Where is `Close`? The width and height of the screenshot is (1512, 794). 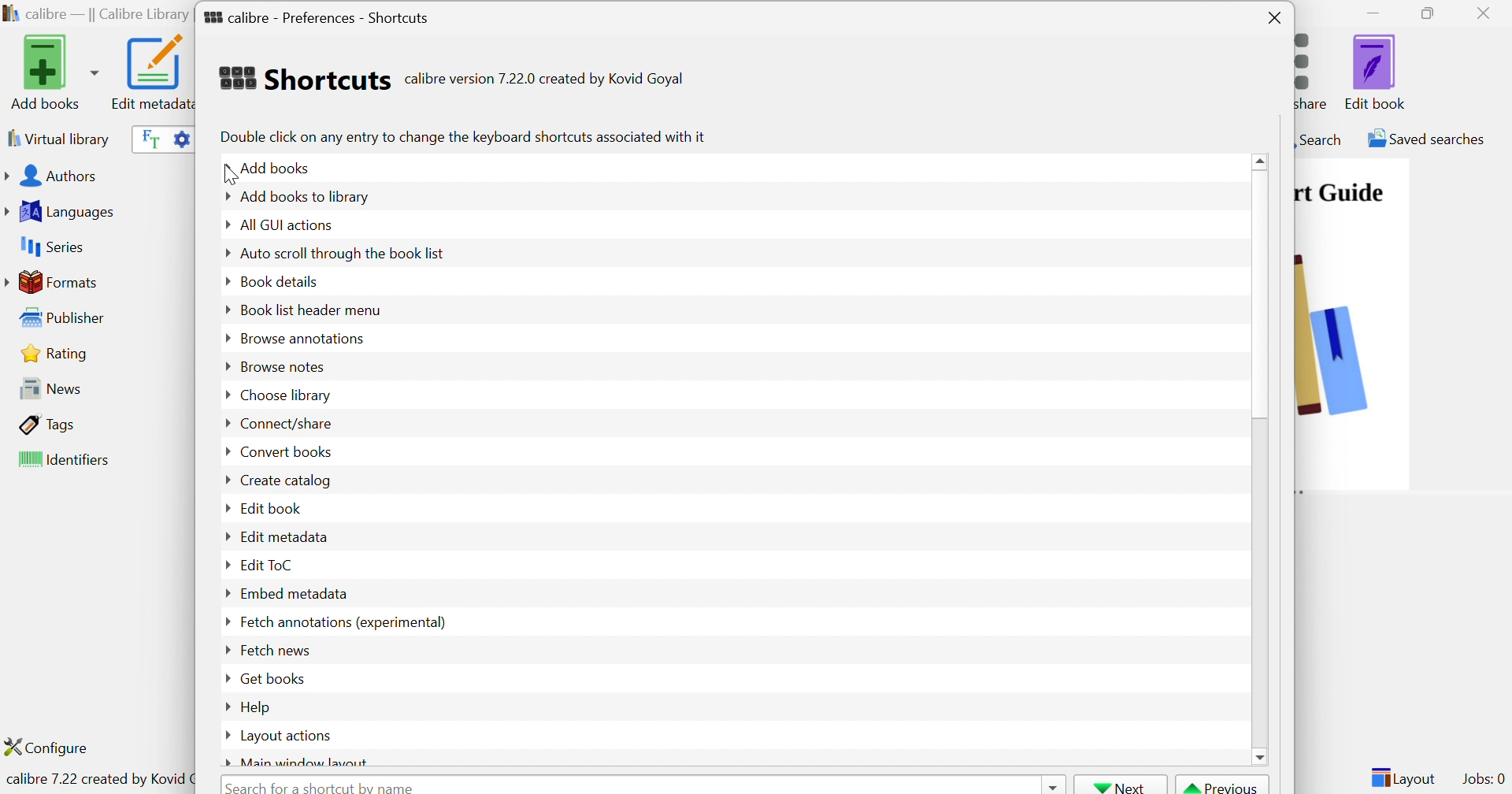 Close is located at coordinates (1275, 19).